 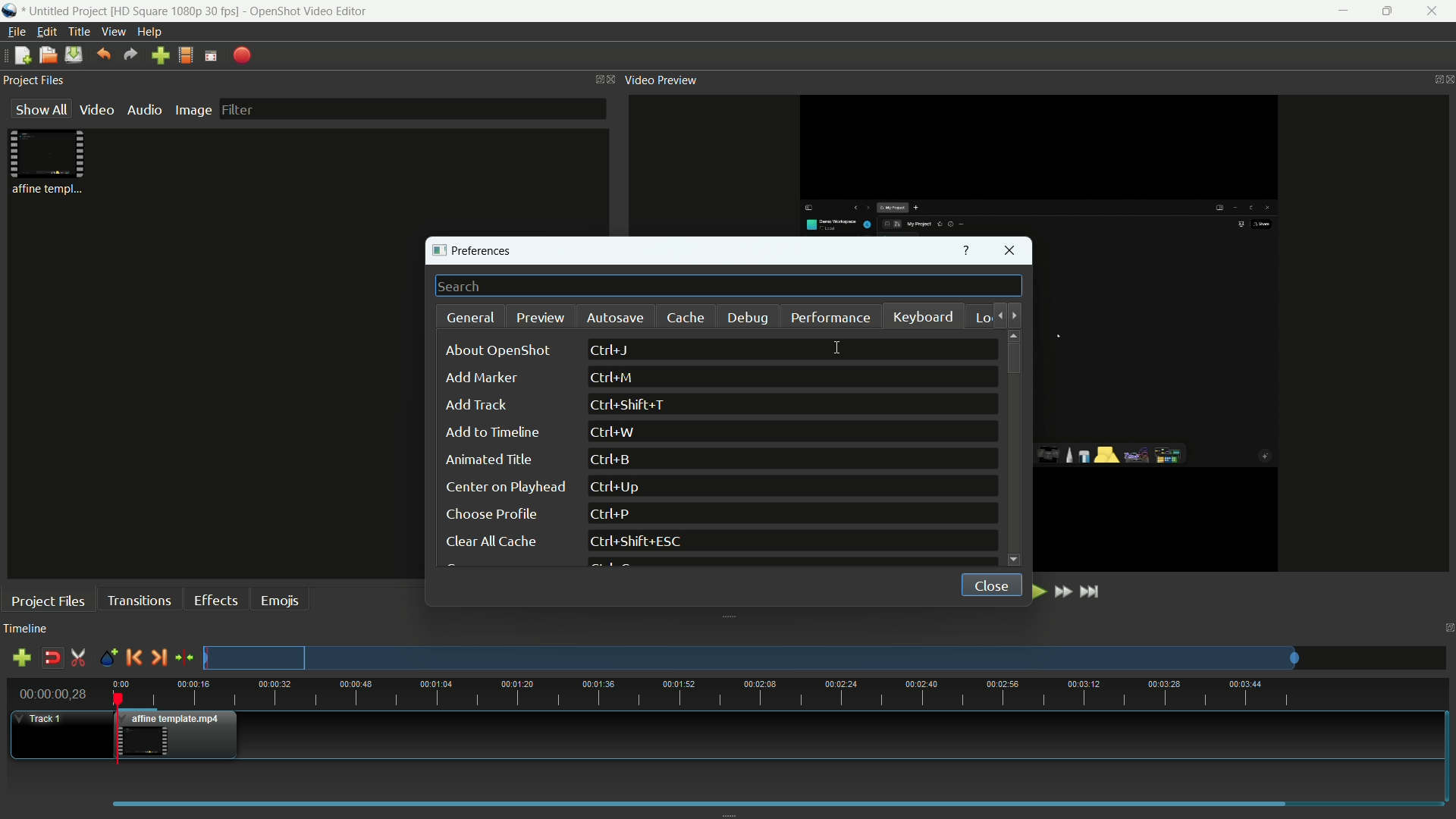 What do you see at coordinates (55, 693) in the screenshot?
I see `current time` at bounding box center [55, 693].